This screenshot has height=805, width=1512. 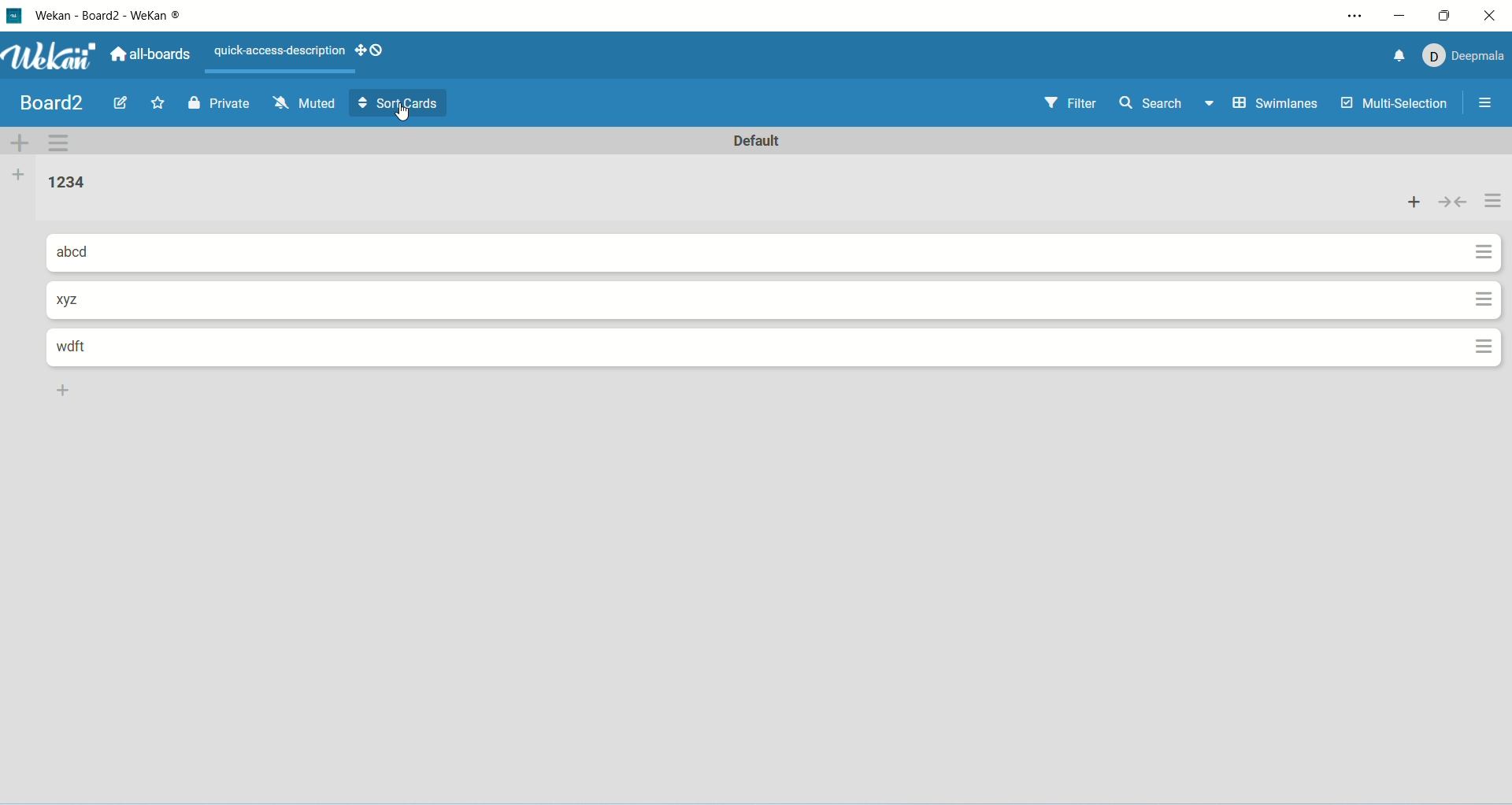 I want to click on all boards, so click(x=153, y=54).